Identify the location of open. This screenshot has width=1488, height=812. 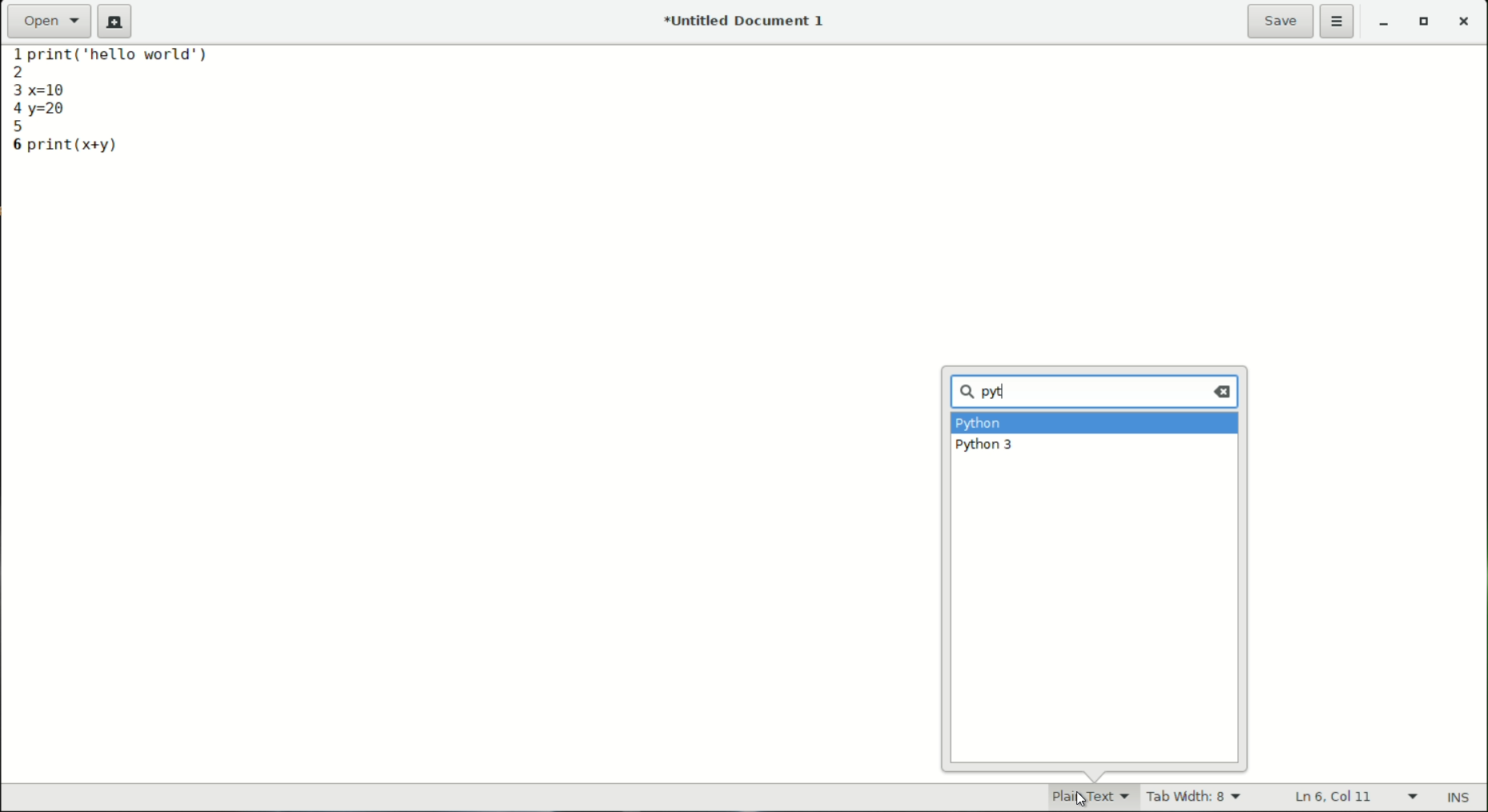
(50, 20).